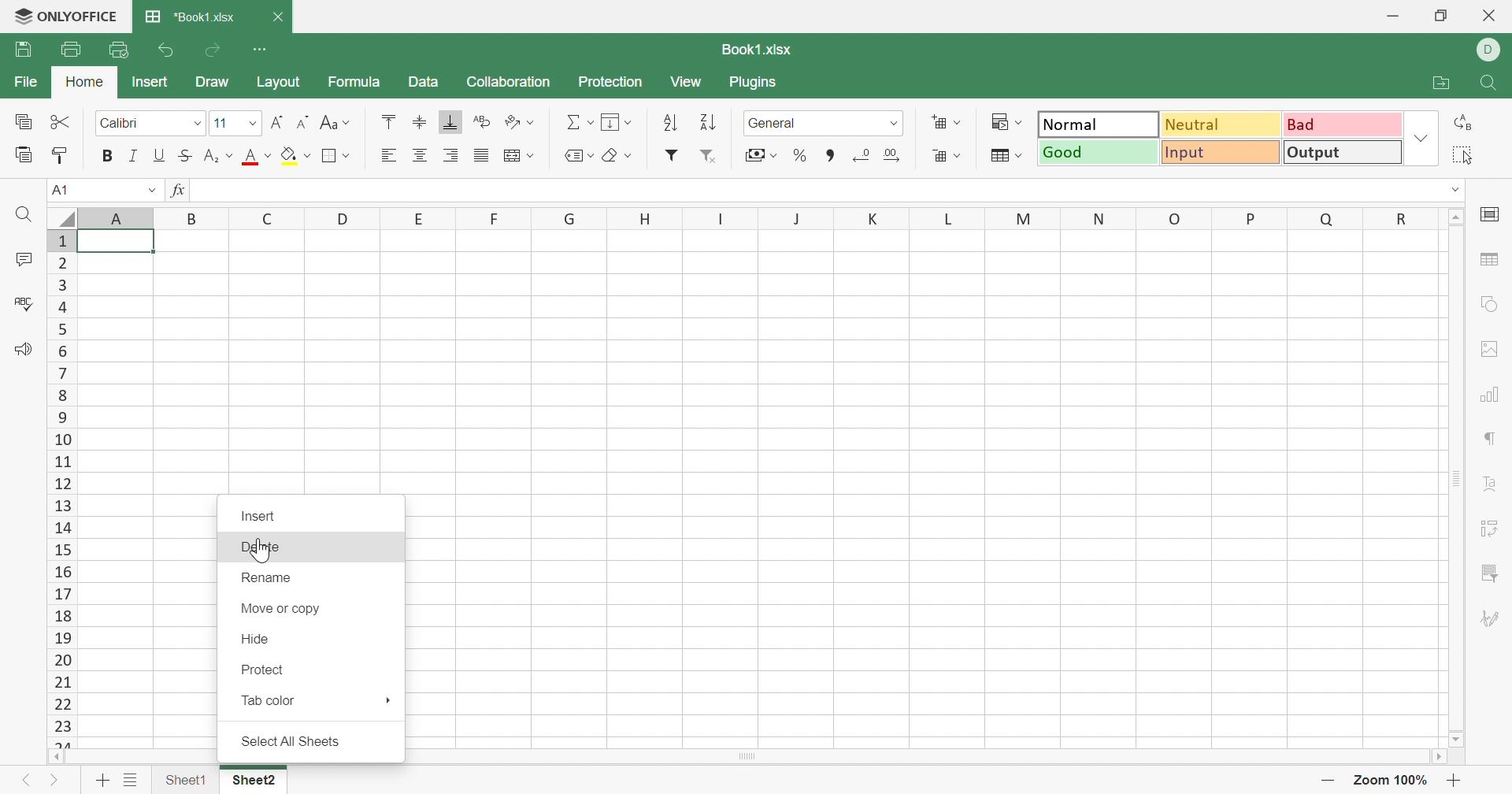 The width and height of the screenshot is (1512, 794). What do you see at coordinates (1487, 307) in the screenshot?
I see `shape settings` at bounding box center [1487, 307].